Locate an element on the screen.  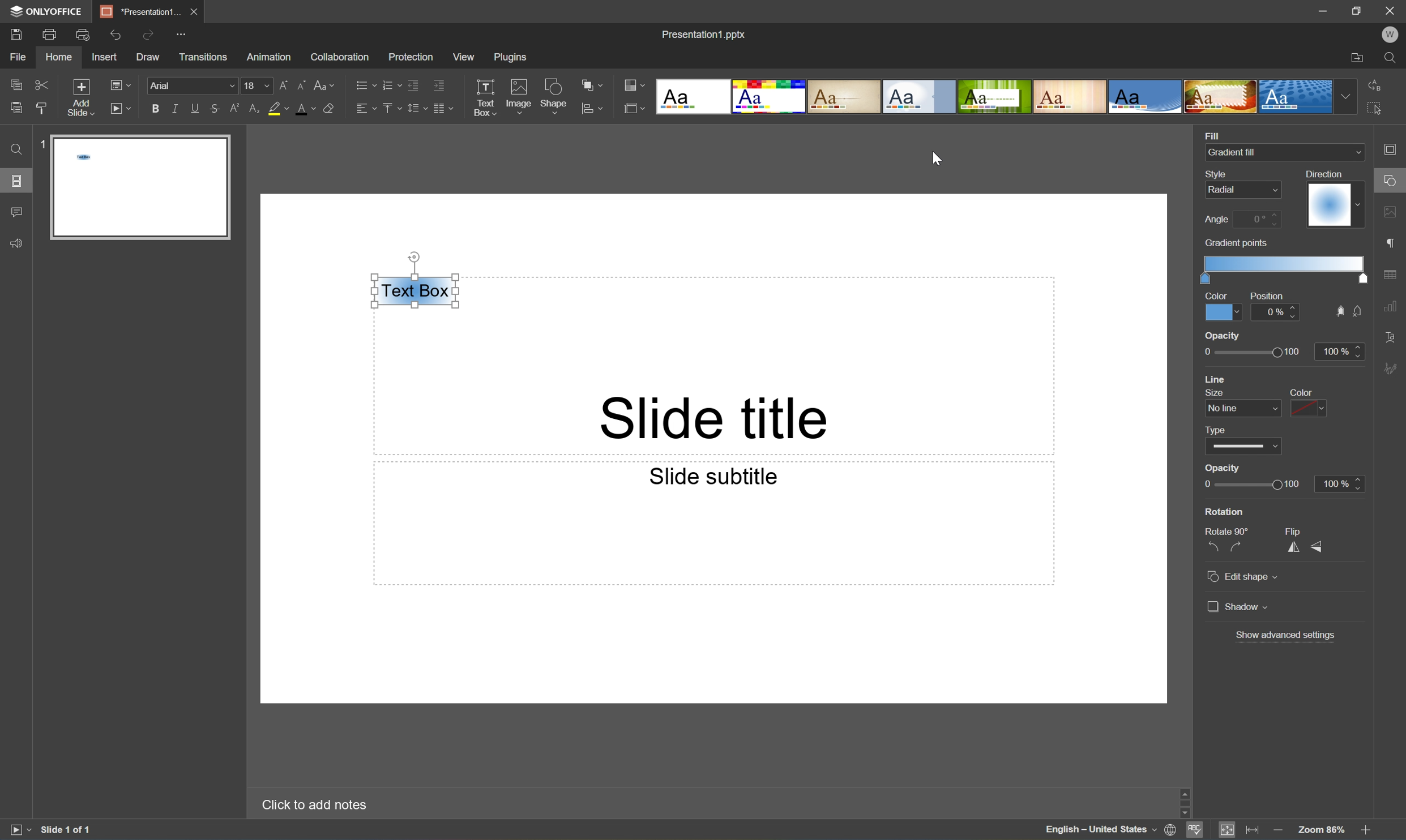
Line spacing is located at coordinates (412, 111).